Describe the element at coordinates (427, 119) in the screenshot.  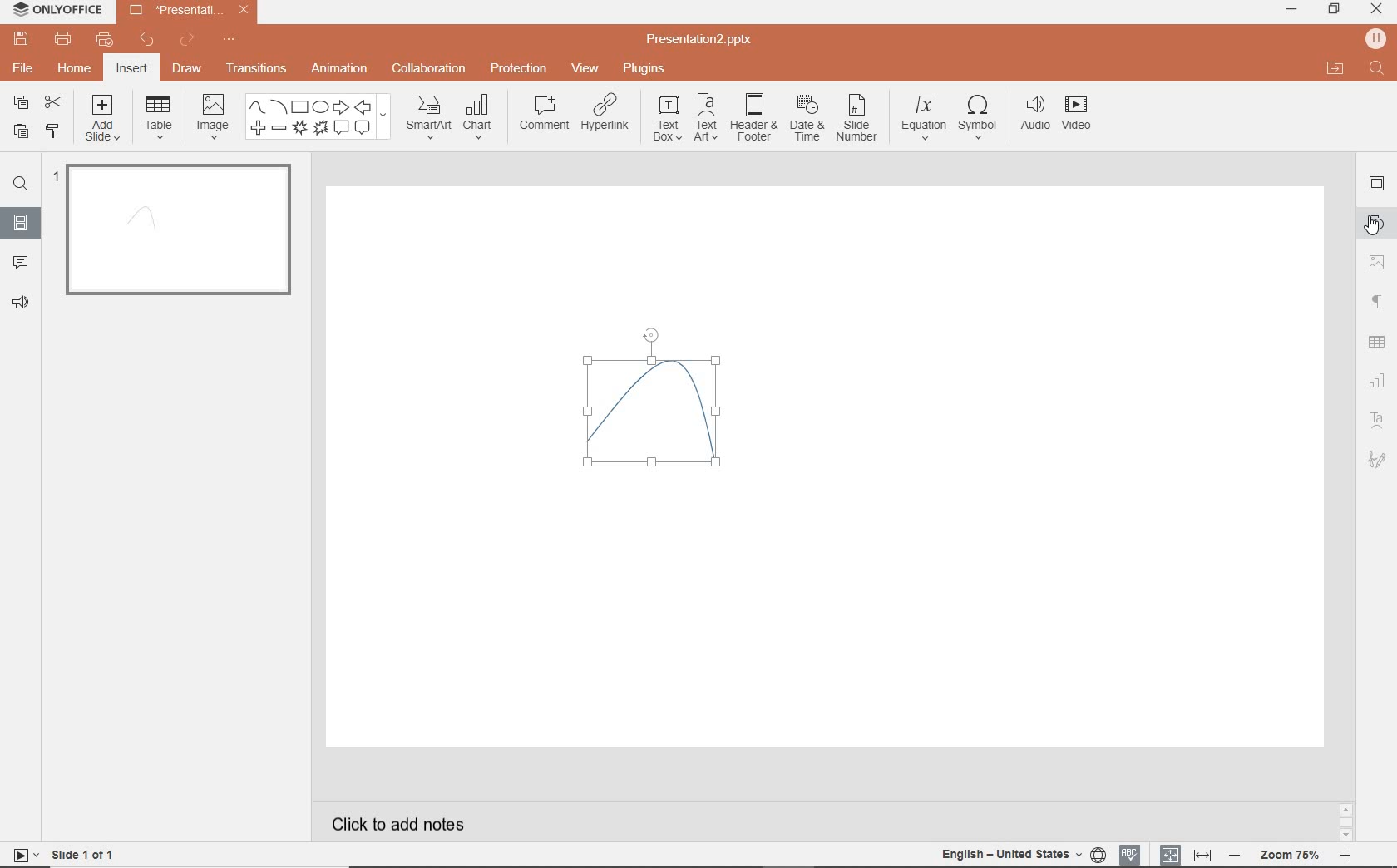
I see `SMART ART` at that location.